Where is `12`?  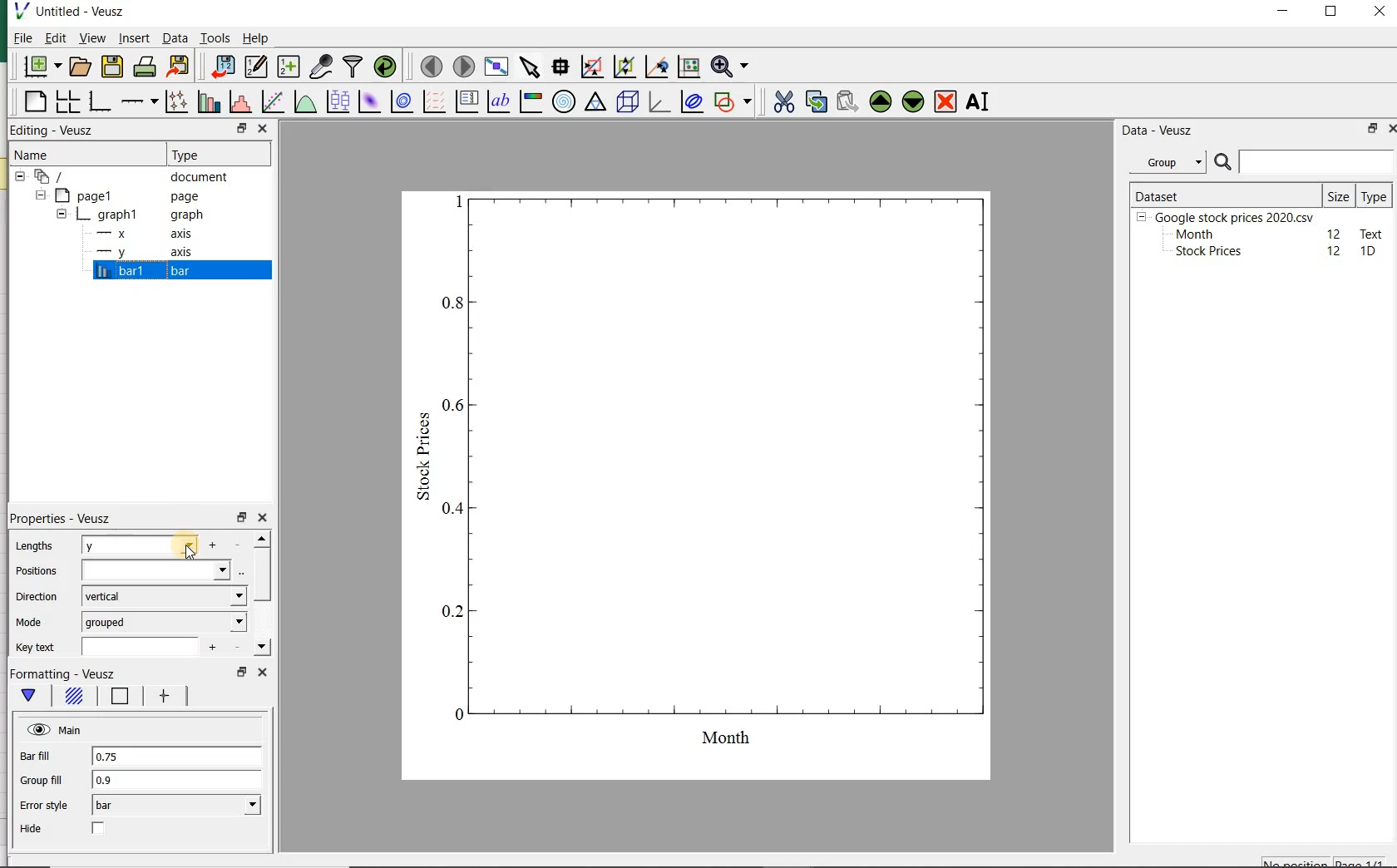
12 is located at coordinates (1335, 233).